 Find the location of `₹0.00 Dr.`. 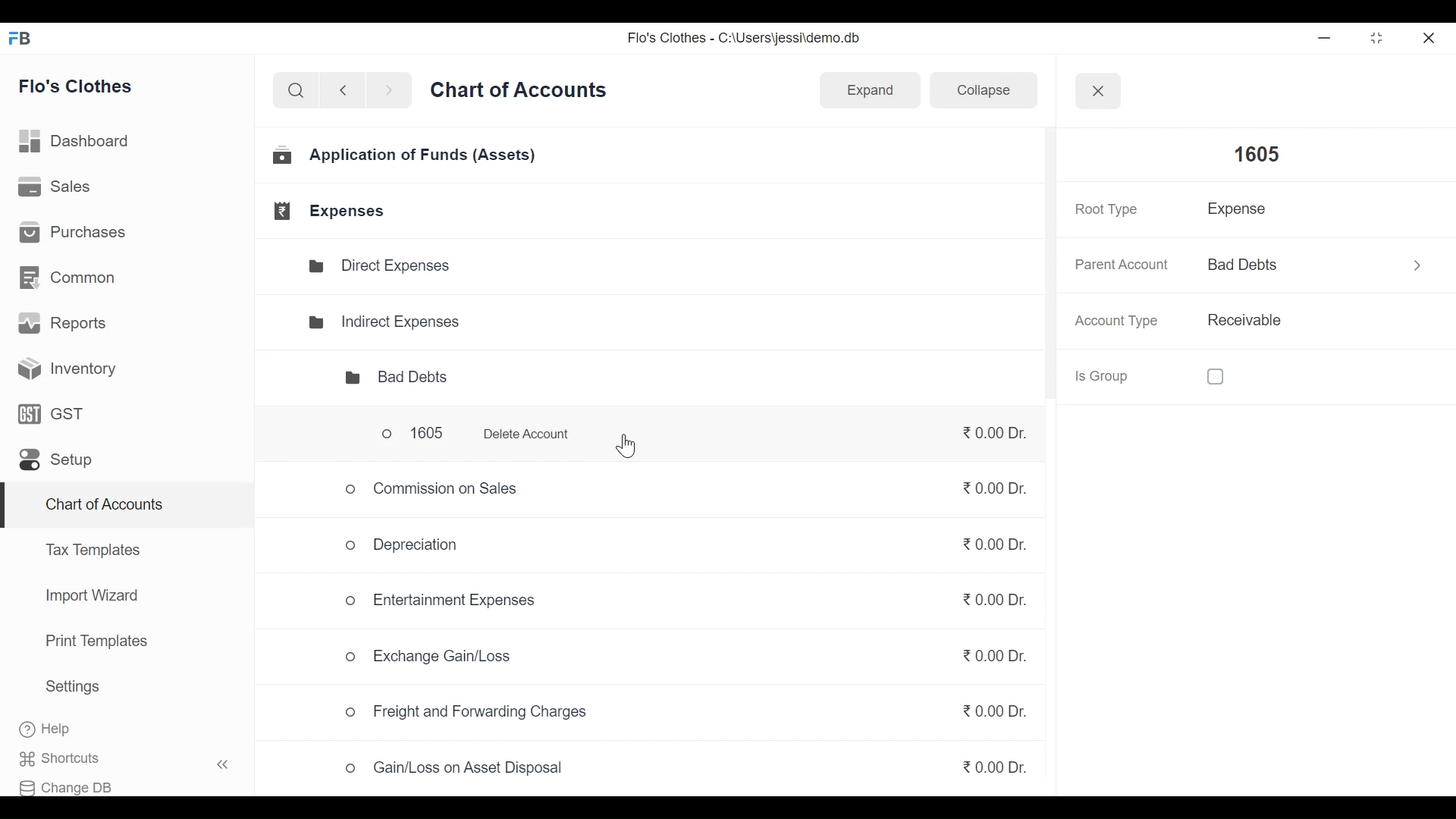

₹0.00 Dr. is located at coordinates (995, 764).